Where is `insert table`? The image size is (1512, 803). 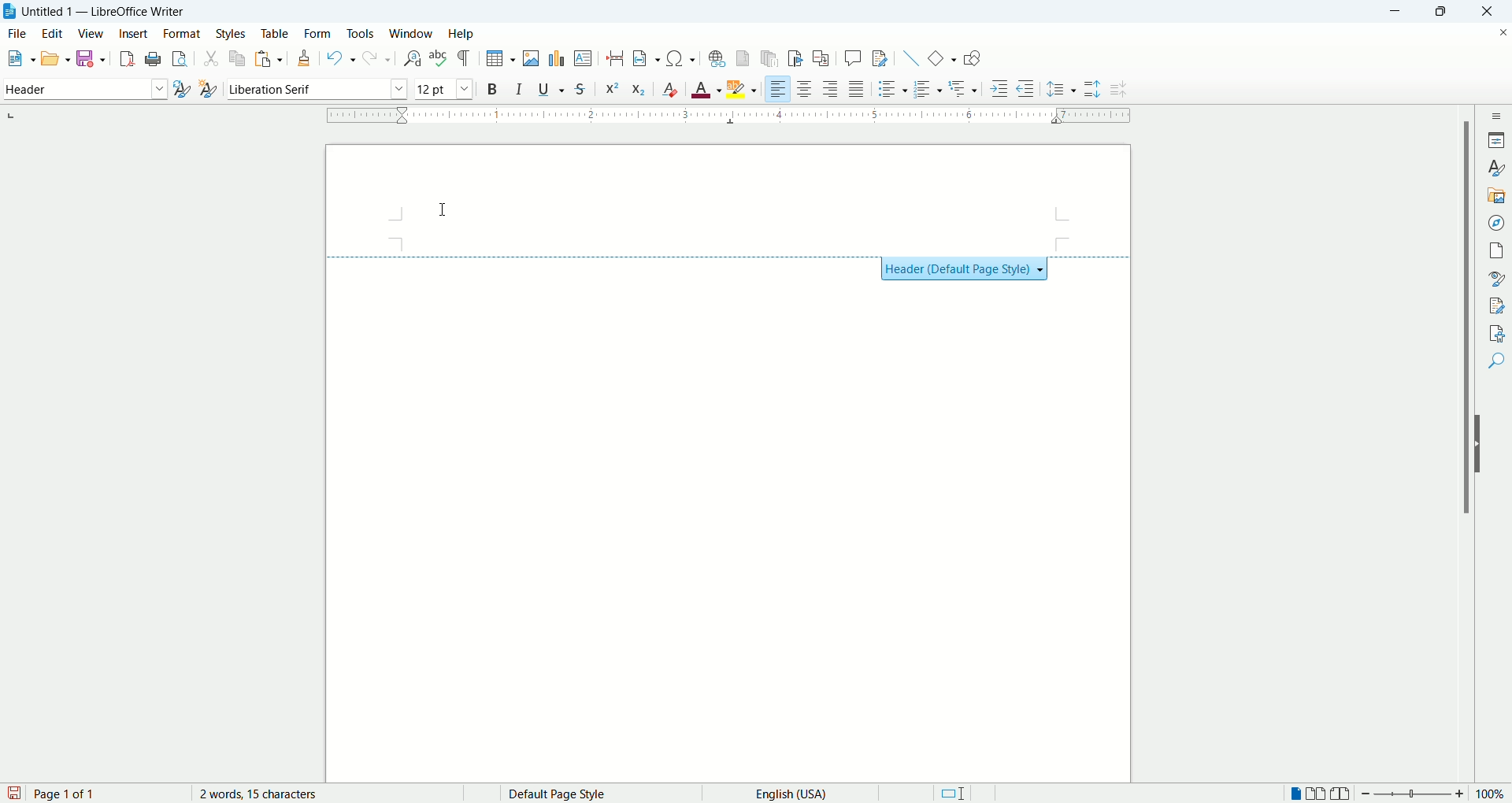 insert table is located at coordinates (501, 59).